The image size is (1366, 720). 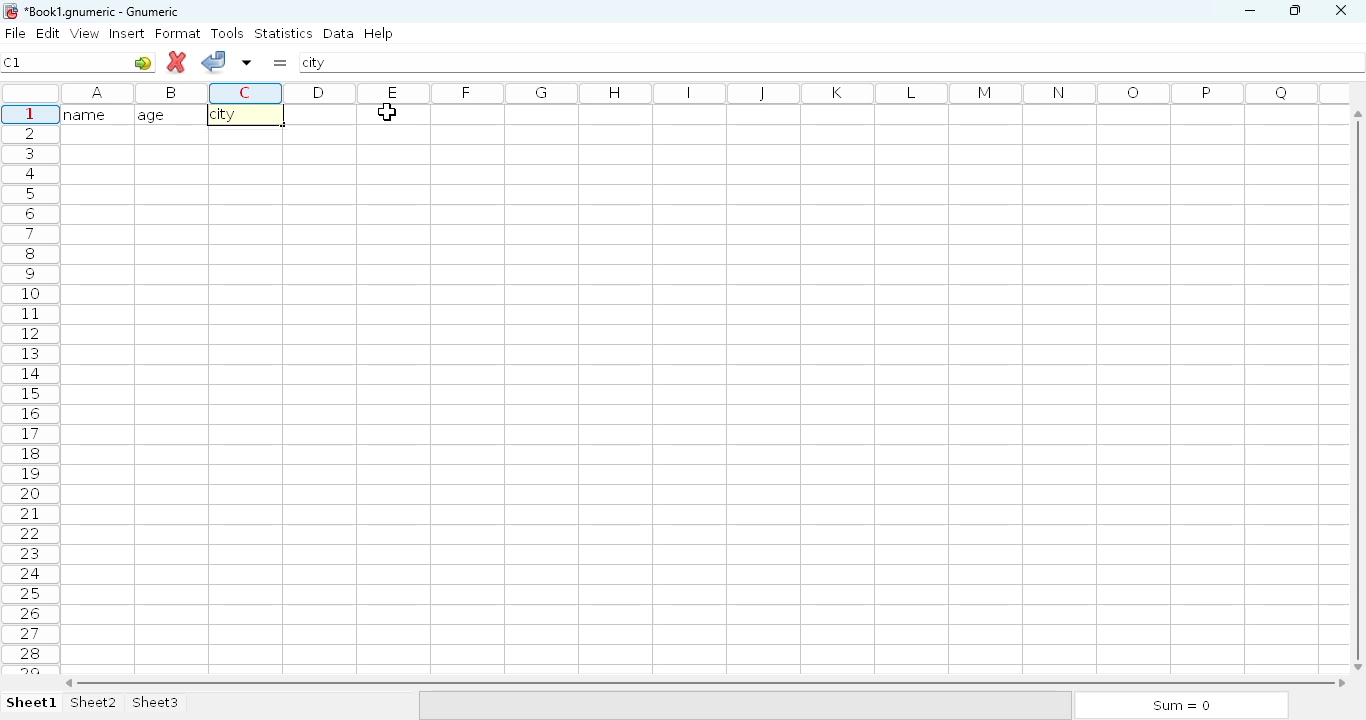 I want to click on column, so click(x=699, y=93).